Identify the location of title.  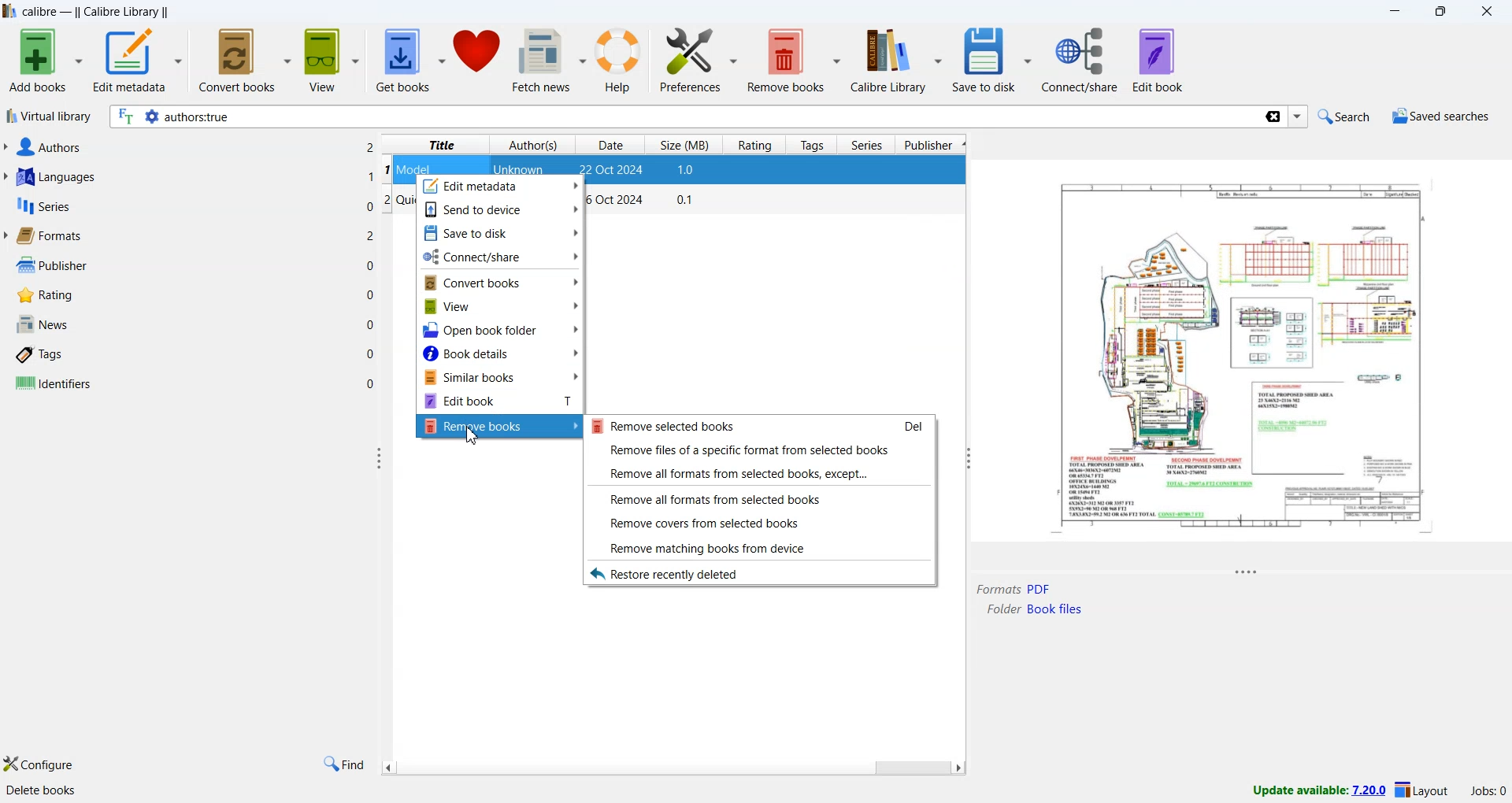
(442, 145).